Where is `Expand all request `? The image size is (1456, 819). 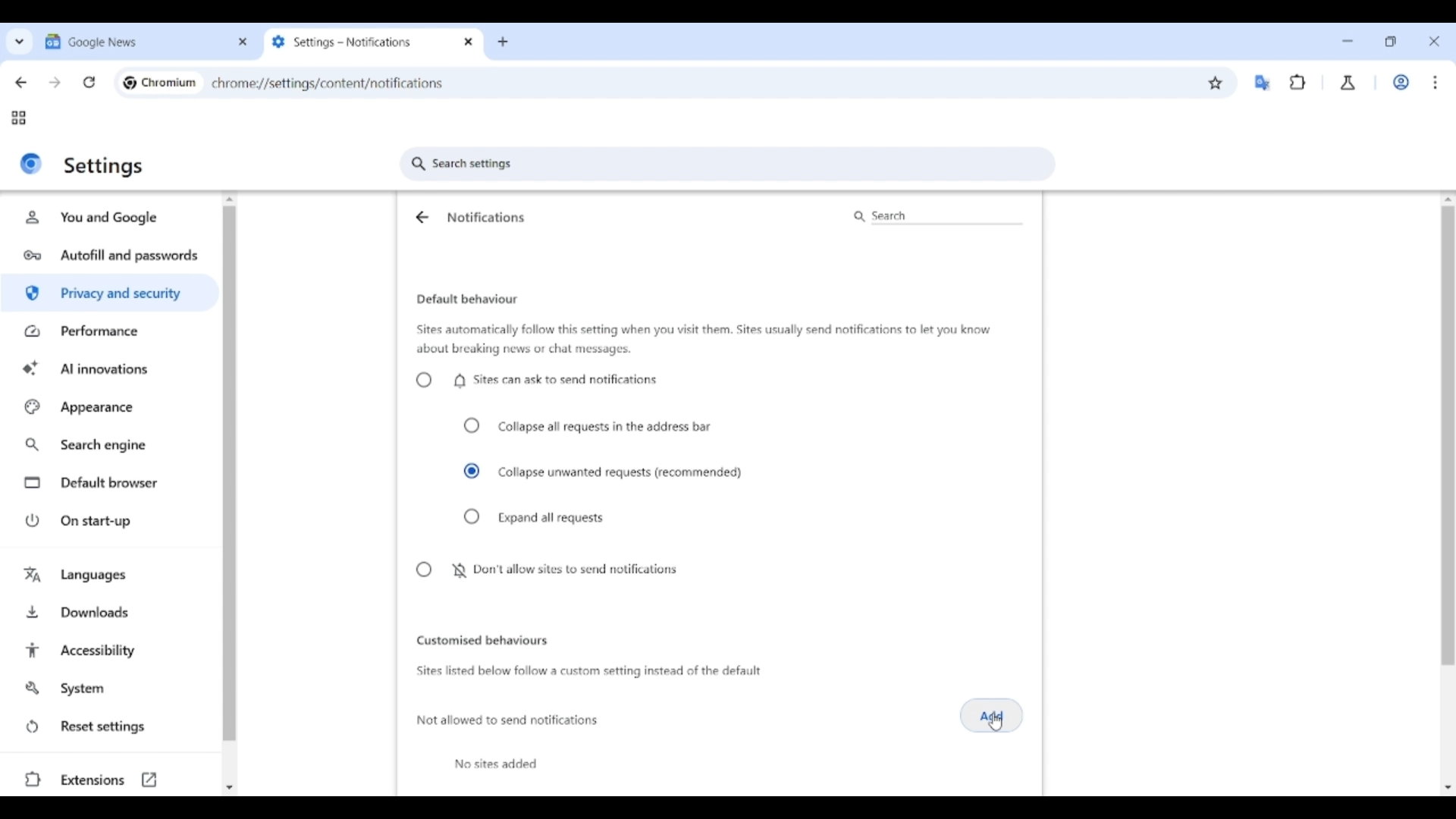
Expand all request  is located at coordinates (535, 517).